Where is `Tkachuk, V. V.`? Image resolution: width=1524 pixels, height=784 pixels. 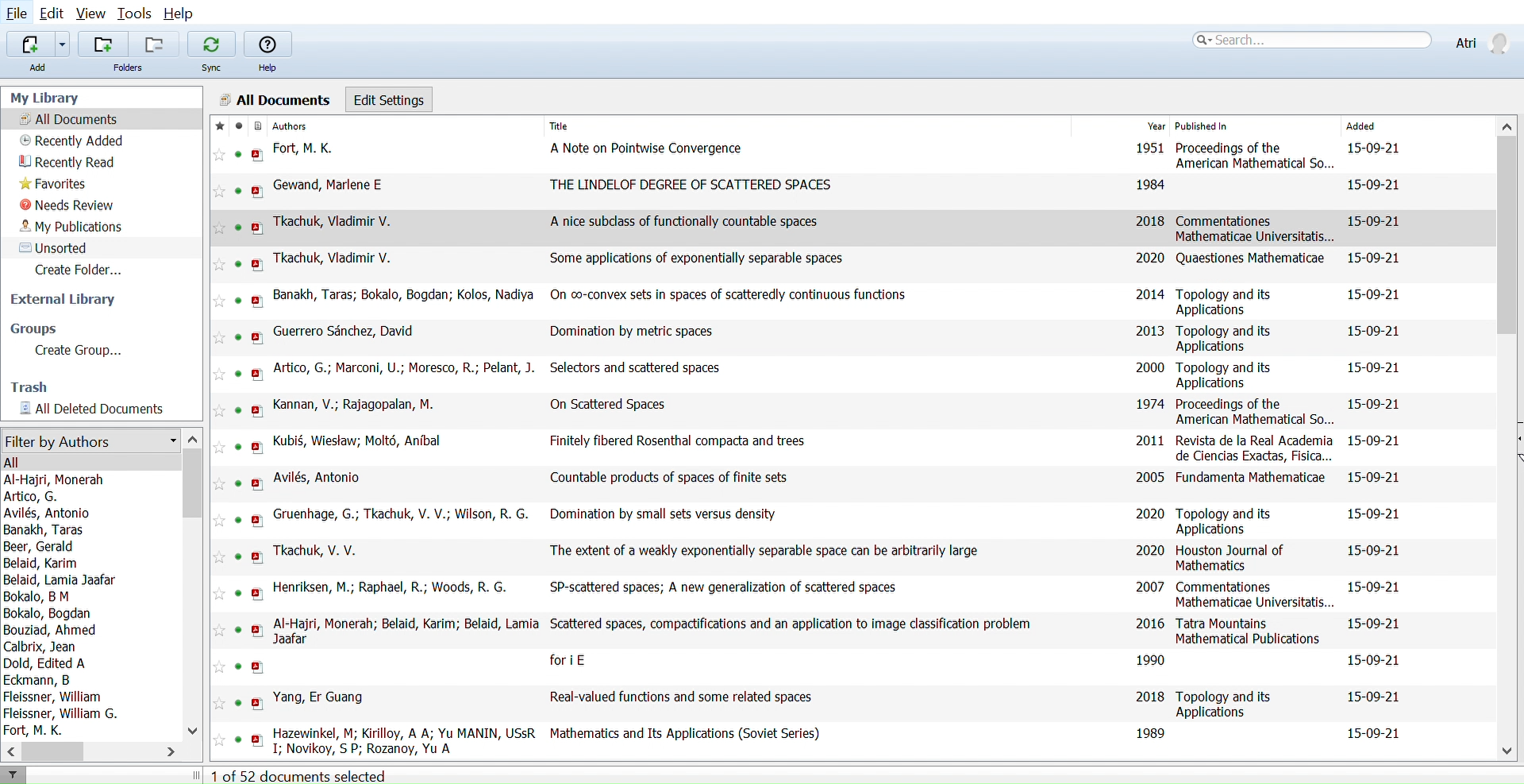 Tkachuk, V. V. is located at coordinates (318, 549).